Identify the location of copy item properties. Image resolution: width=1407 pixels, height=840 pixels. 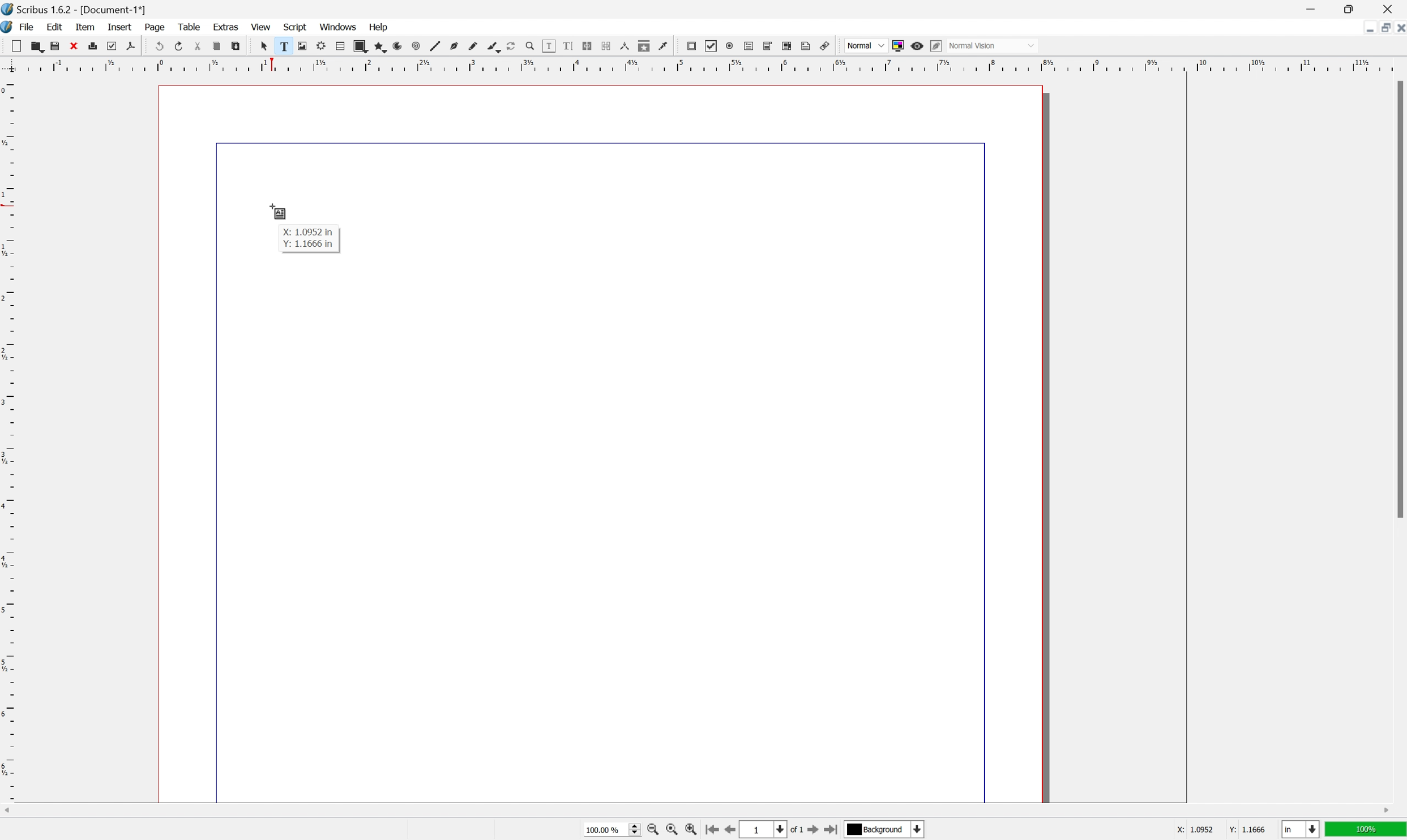
(643, 46).